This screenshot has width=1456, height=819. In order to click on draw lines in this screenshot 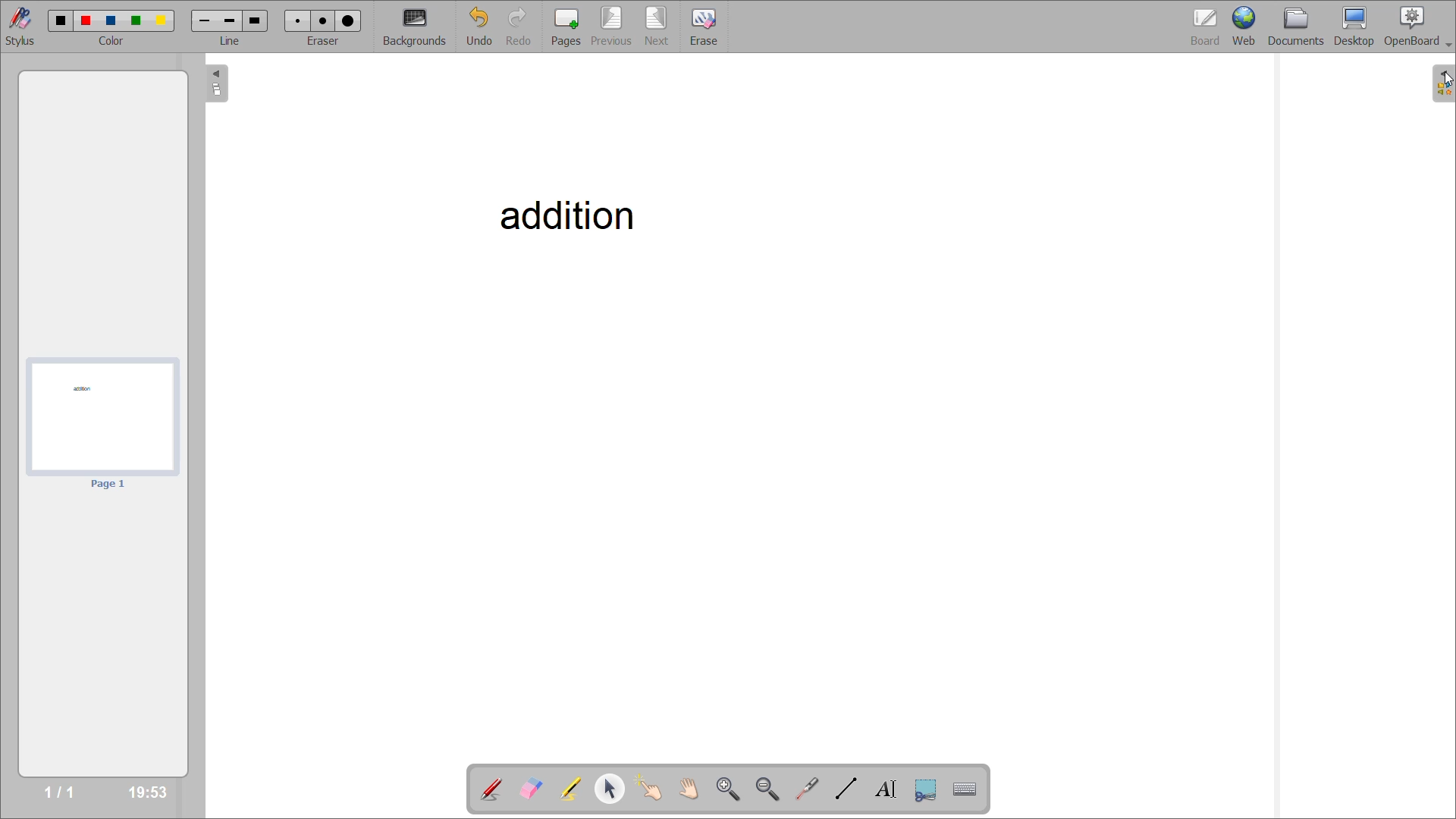, I will do `click(849, 790)`.